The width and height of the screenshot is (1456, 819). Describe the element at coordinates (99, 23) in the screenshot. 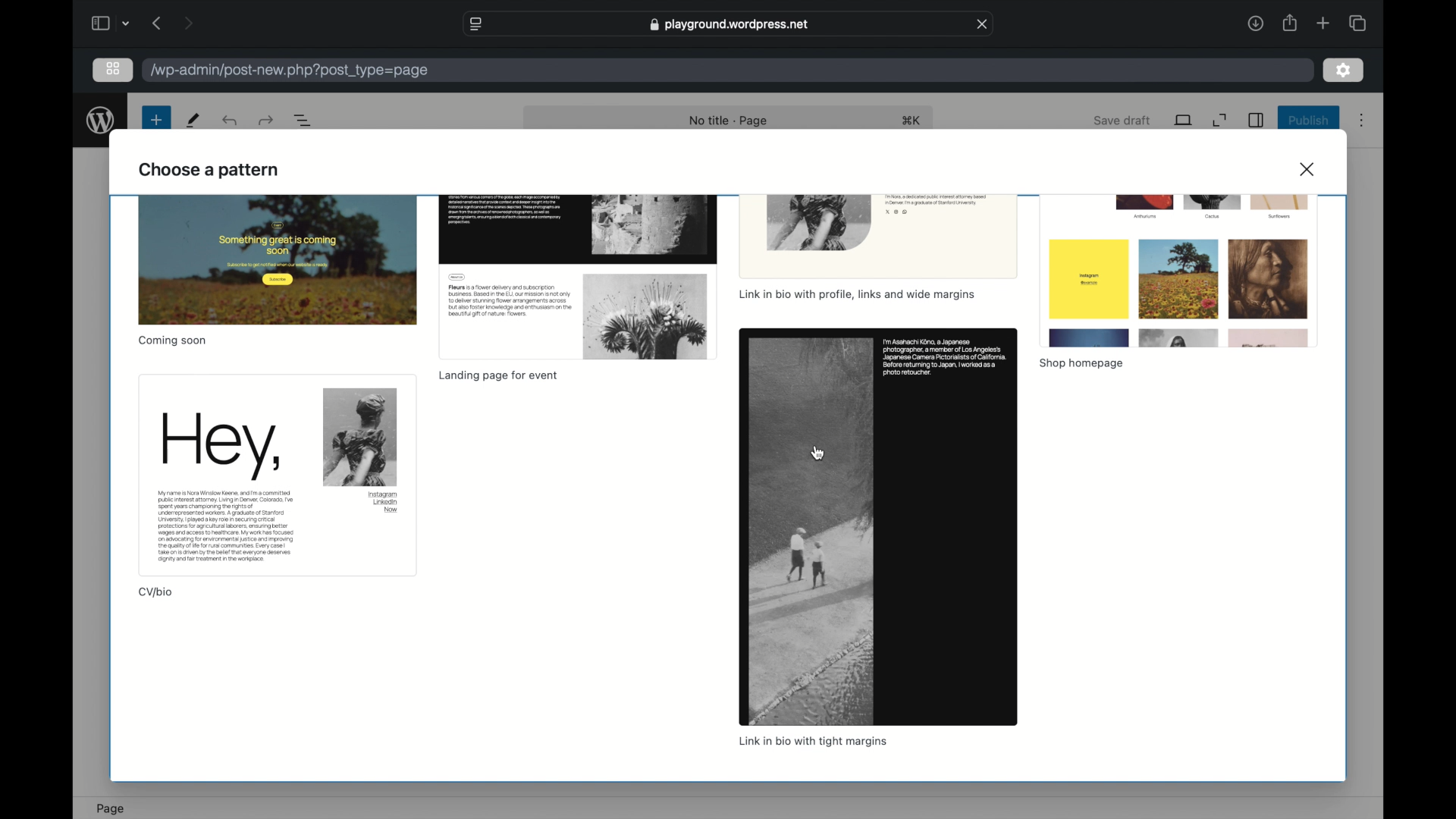

I see `sidebar` at that location.